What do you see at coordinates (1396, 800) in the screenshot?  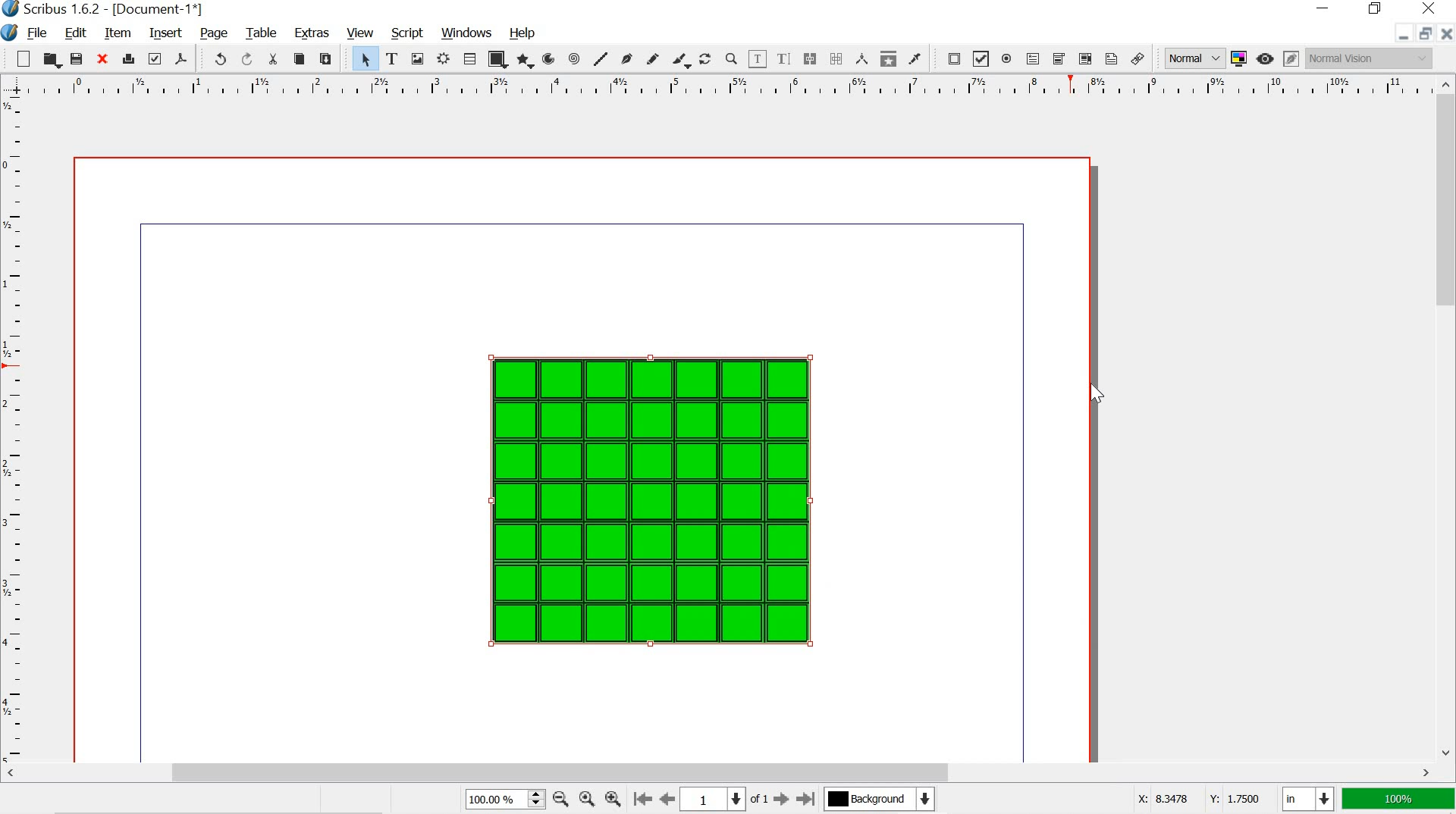 I see `100%` at bounding box center [1396, 800].